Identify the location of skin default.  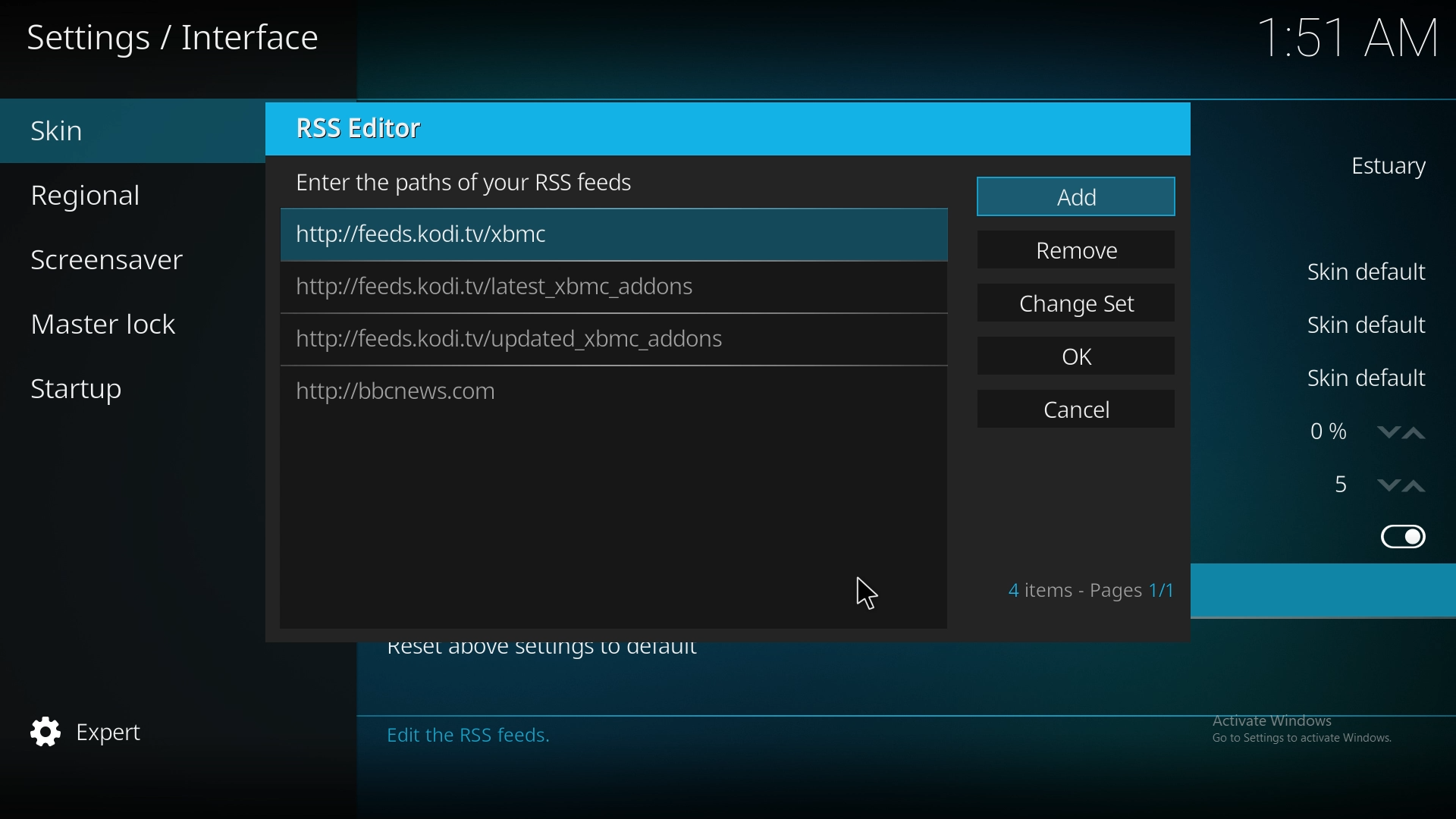
(1368, 323).